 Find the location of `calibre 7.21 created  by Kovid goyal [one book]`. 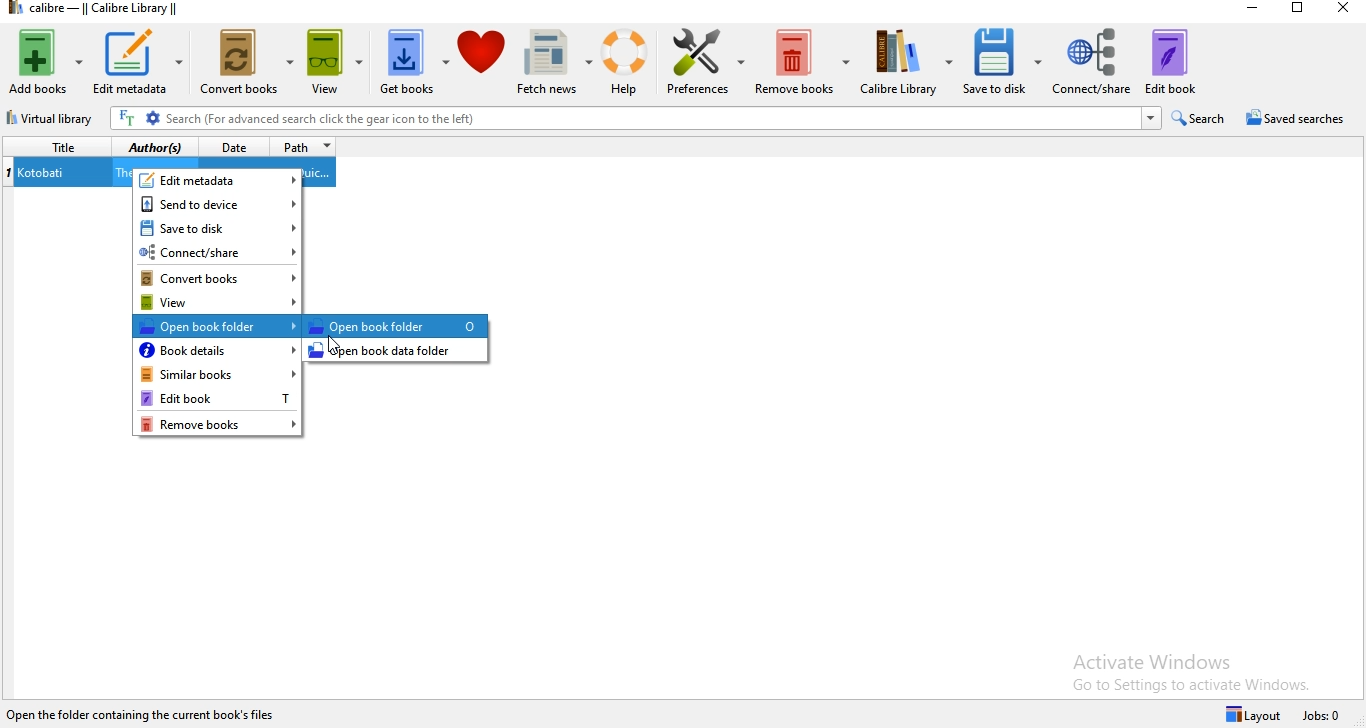

calibre 7.21 created  by Kovid goyal [one book] is located at coordinates (145, 712).